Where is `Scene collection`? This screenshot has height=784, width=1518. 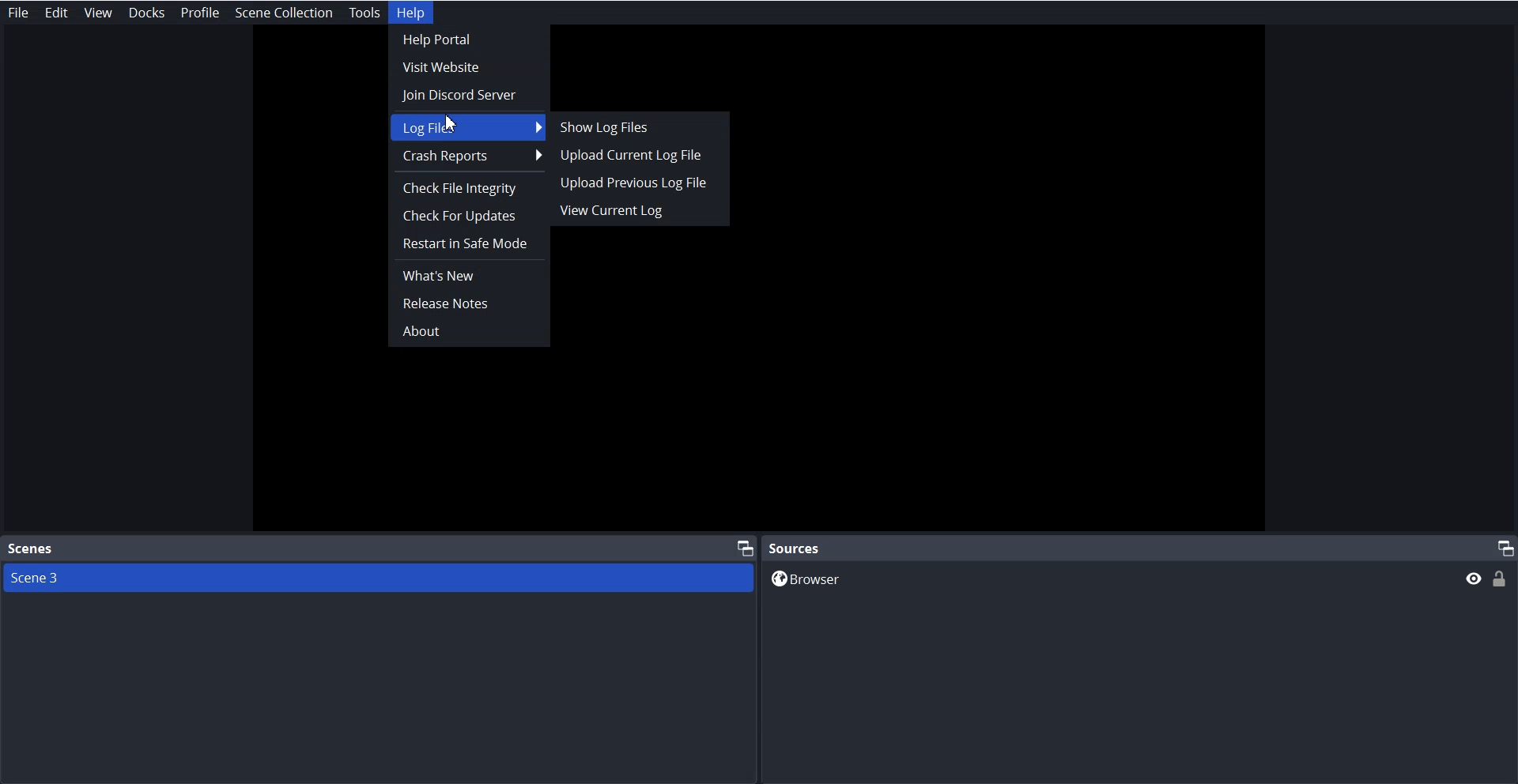 Scene collection is located at coordinates (283, 12).